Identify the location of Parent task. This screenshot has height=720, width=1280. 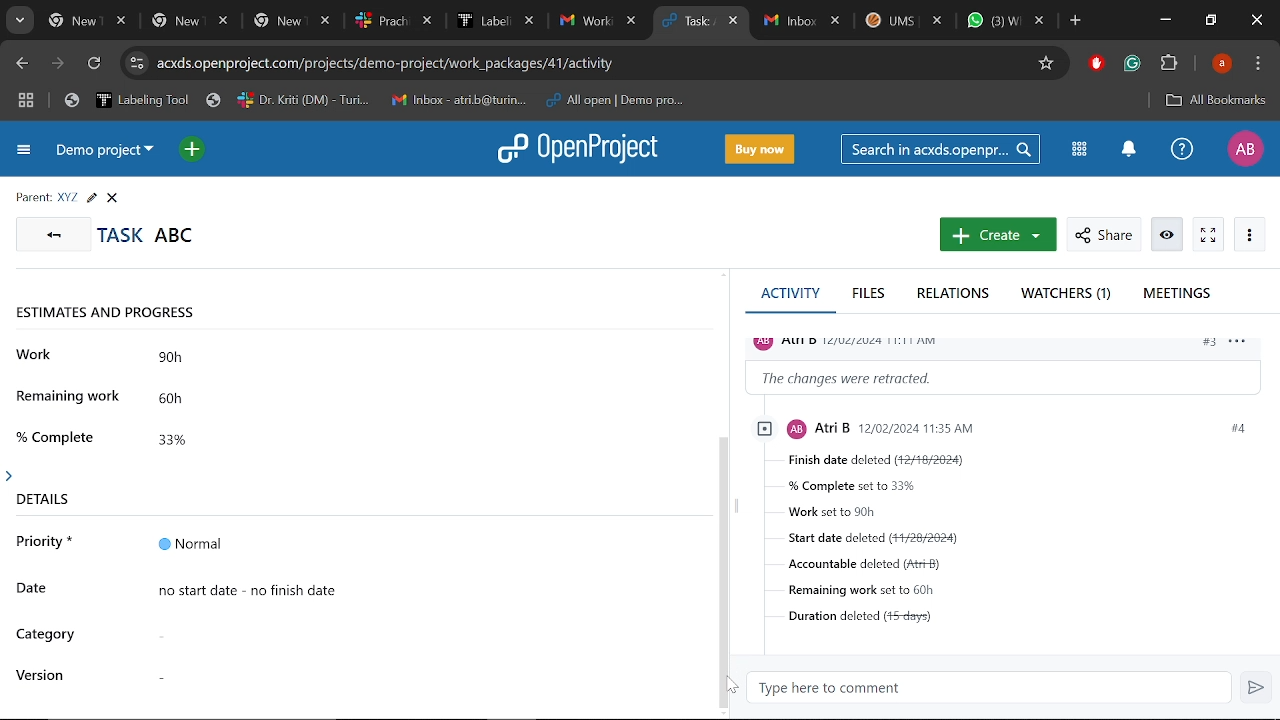
(68, 198).